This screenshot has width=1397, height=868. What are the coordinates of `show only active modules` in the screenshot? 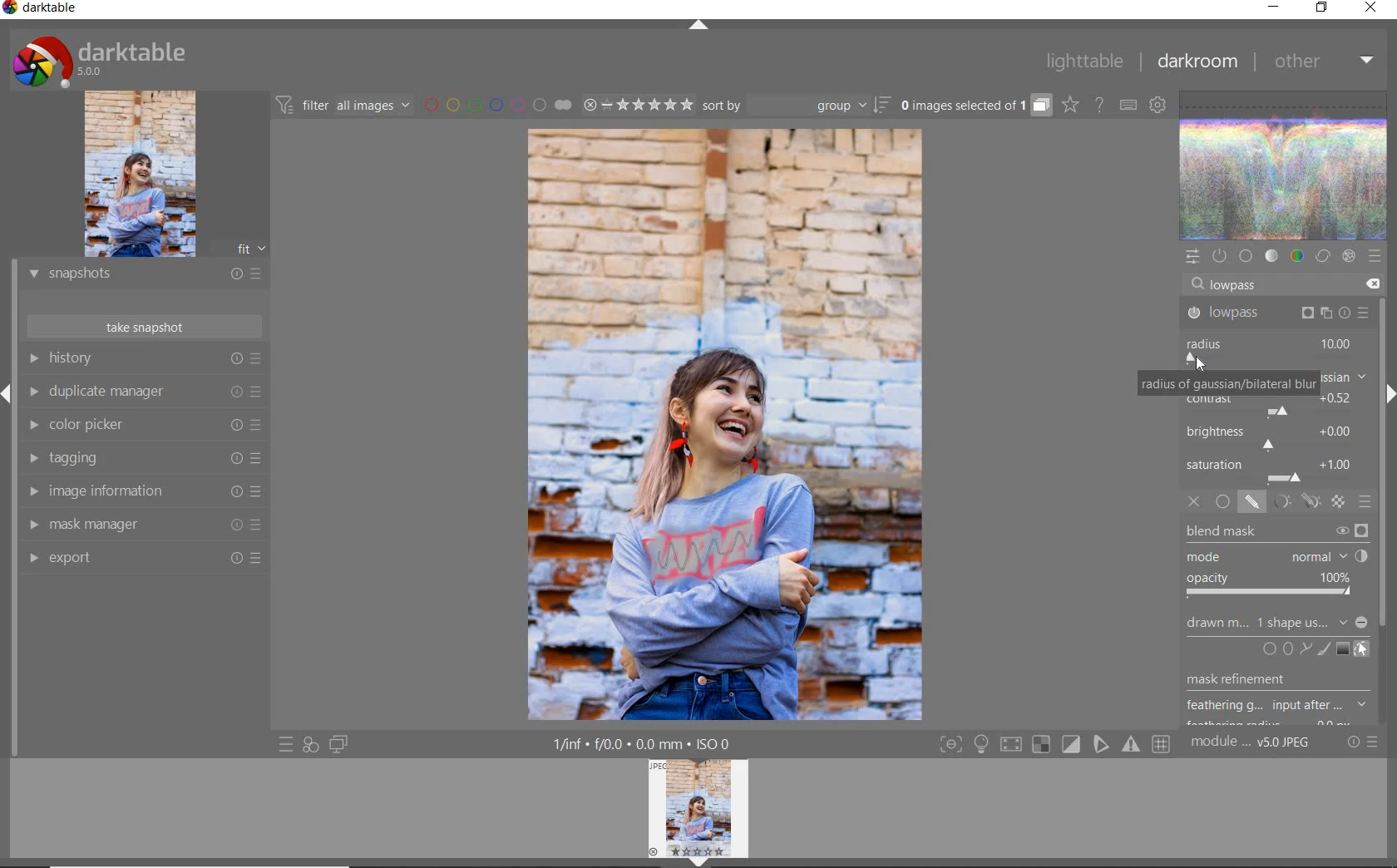 It's located at (1220, 257).